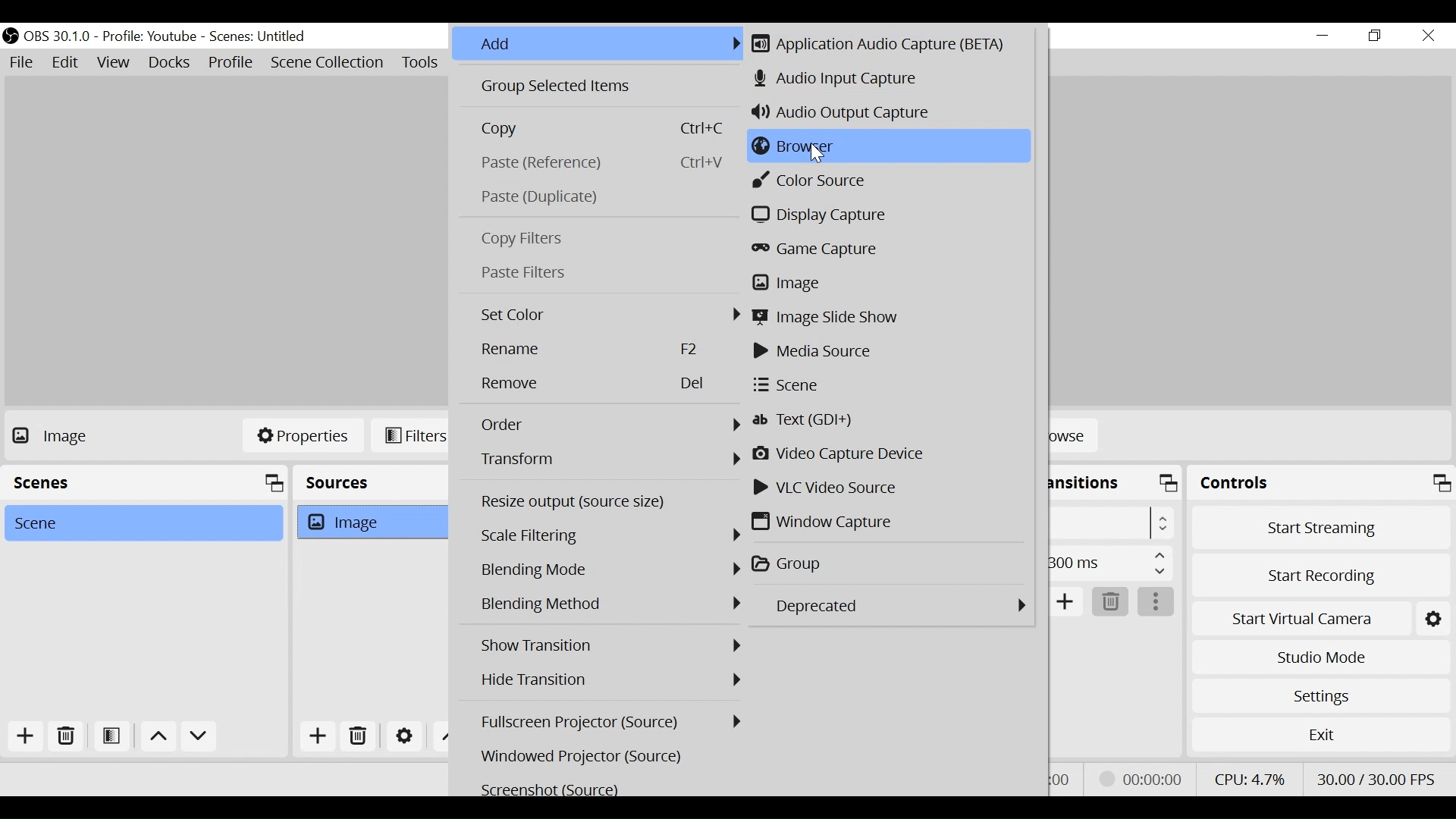 The width and height of the screenshot is (1456, 819). What do you see at coordinates (1428, 36) in the screenshot?
I see `Close` at bounding box center [1428, 36].